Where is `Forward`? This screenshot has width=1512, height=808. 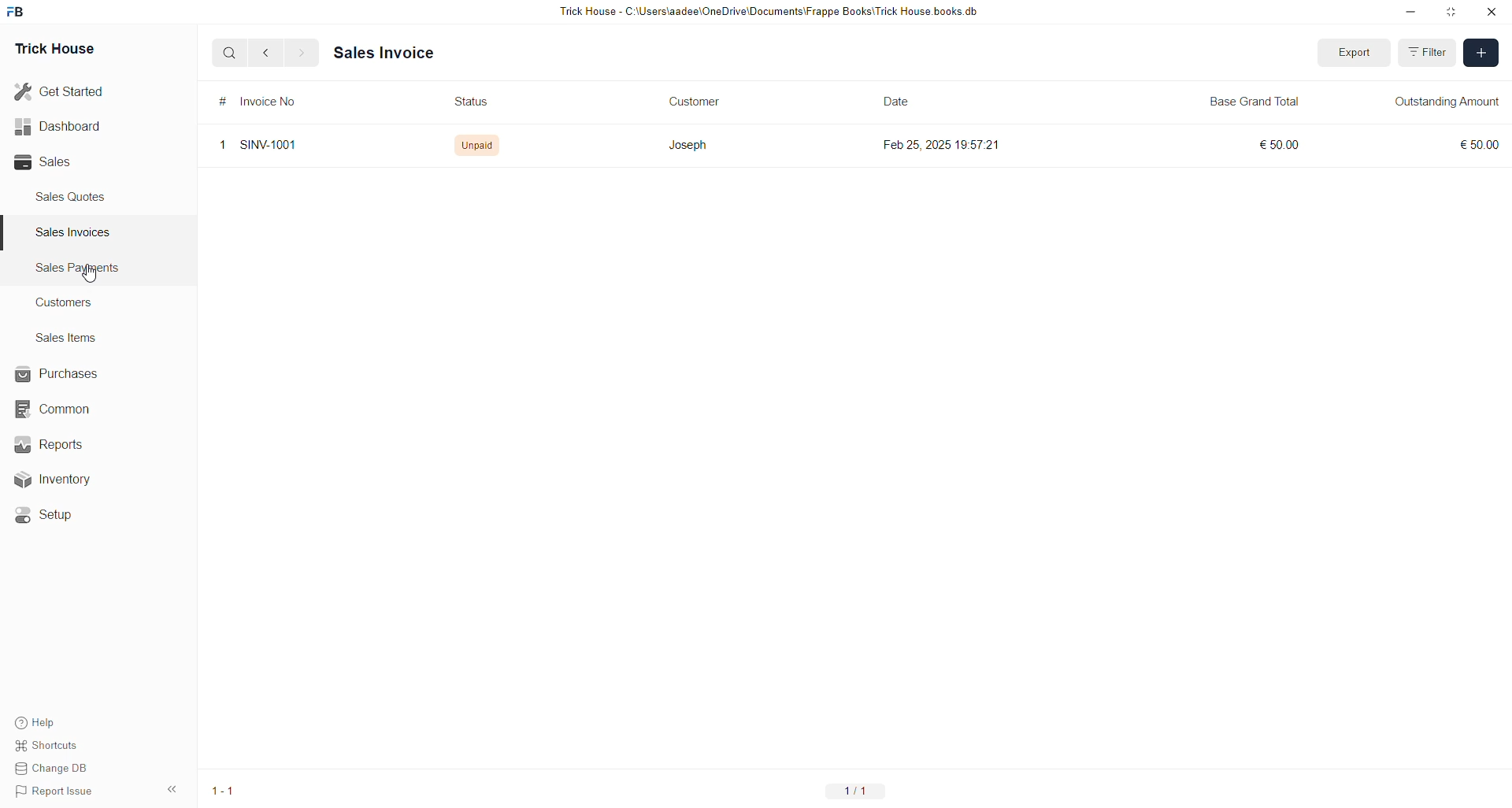 Forward is located at coordinates (302, 54).